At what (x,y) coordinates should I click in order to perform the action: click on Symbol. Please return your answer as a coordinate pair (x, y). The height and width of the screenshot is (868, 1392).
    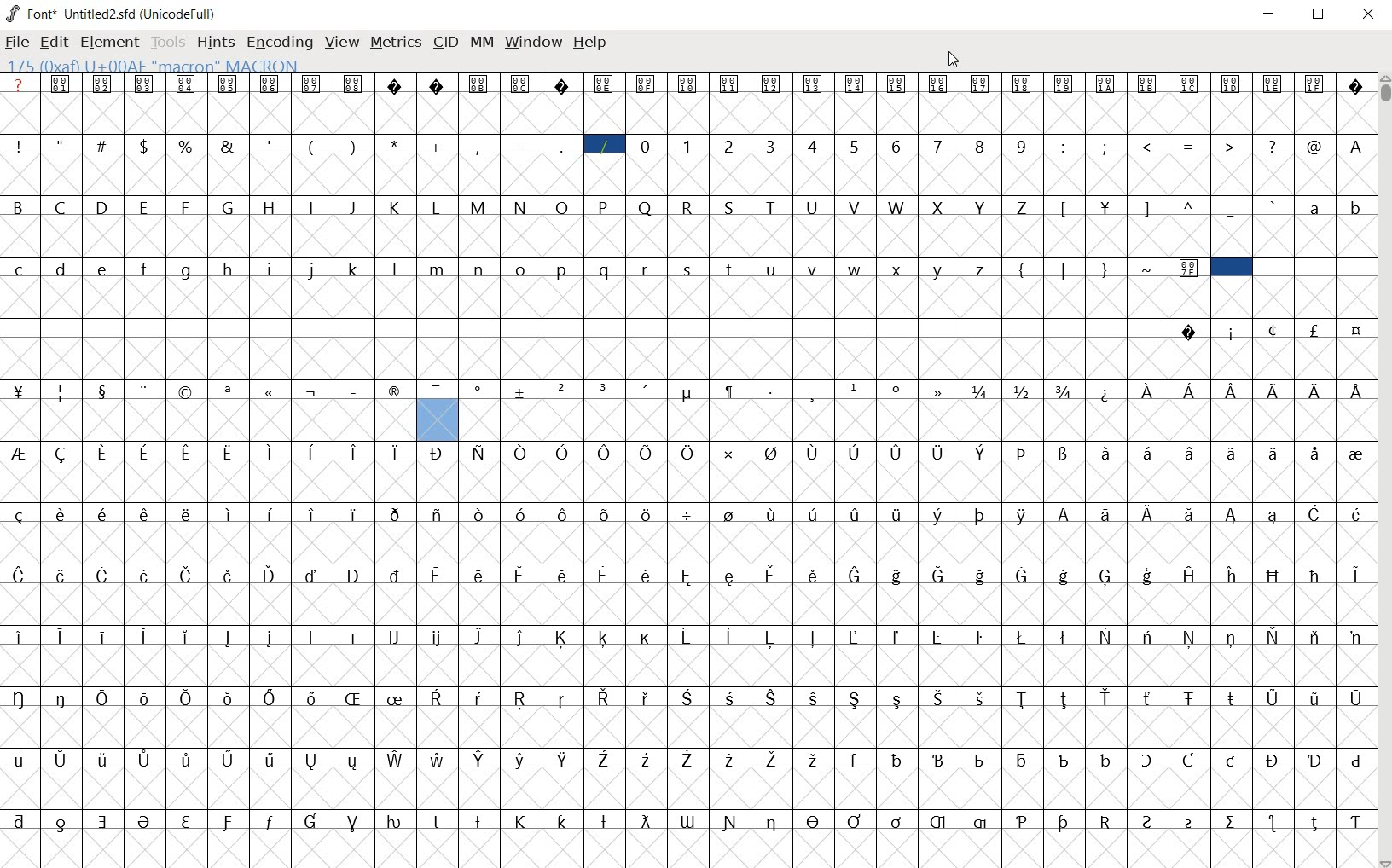
    Looking at the image, I should click on (396, 821).